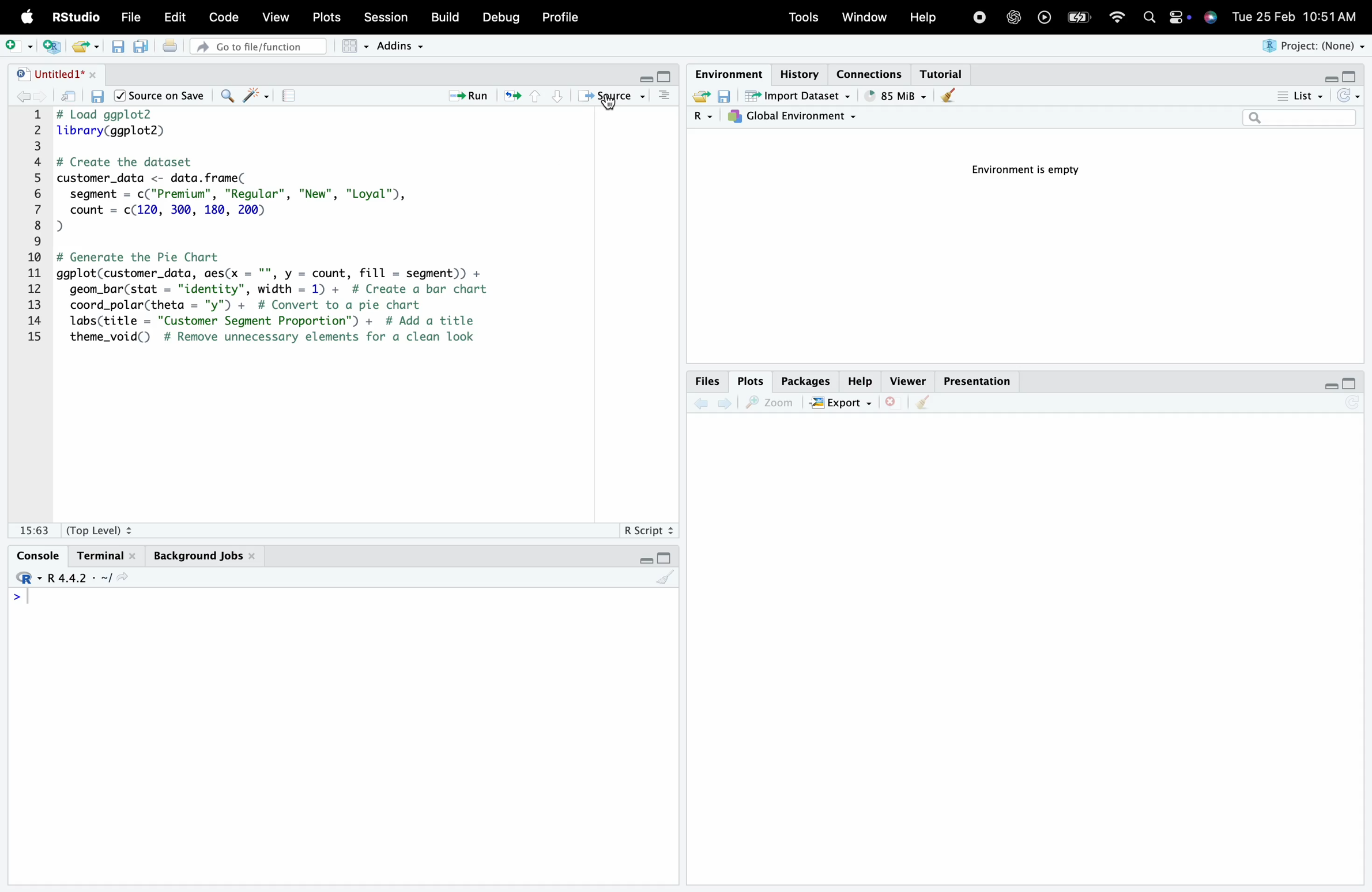 This screenshot has height=892, width=1372. I want to click on minimise, so click(1327, 79).